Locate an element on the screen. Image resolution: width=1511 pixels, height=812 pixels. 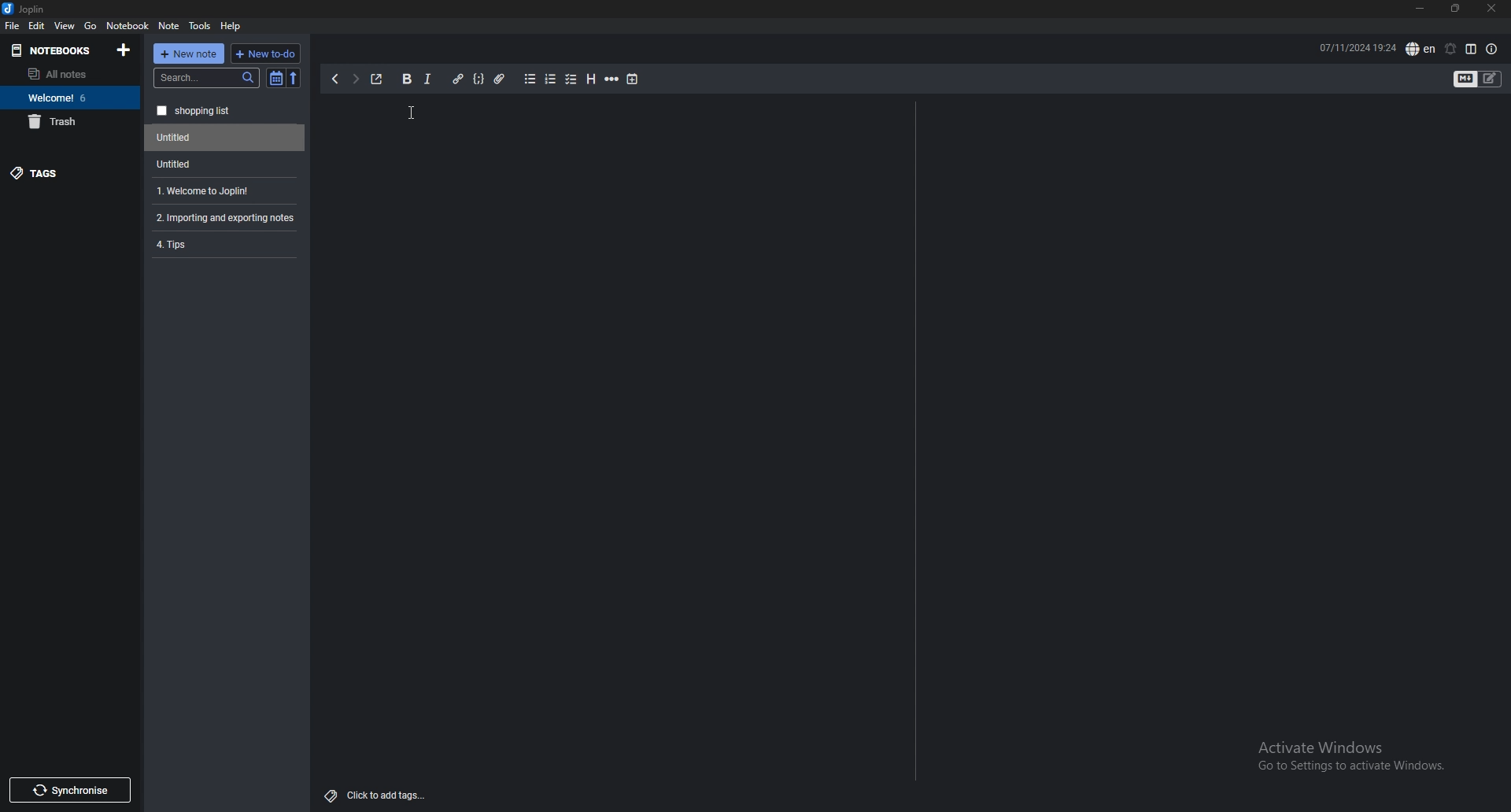
note properties is located at coordinates (1492, 50).